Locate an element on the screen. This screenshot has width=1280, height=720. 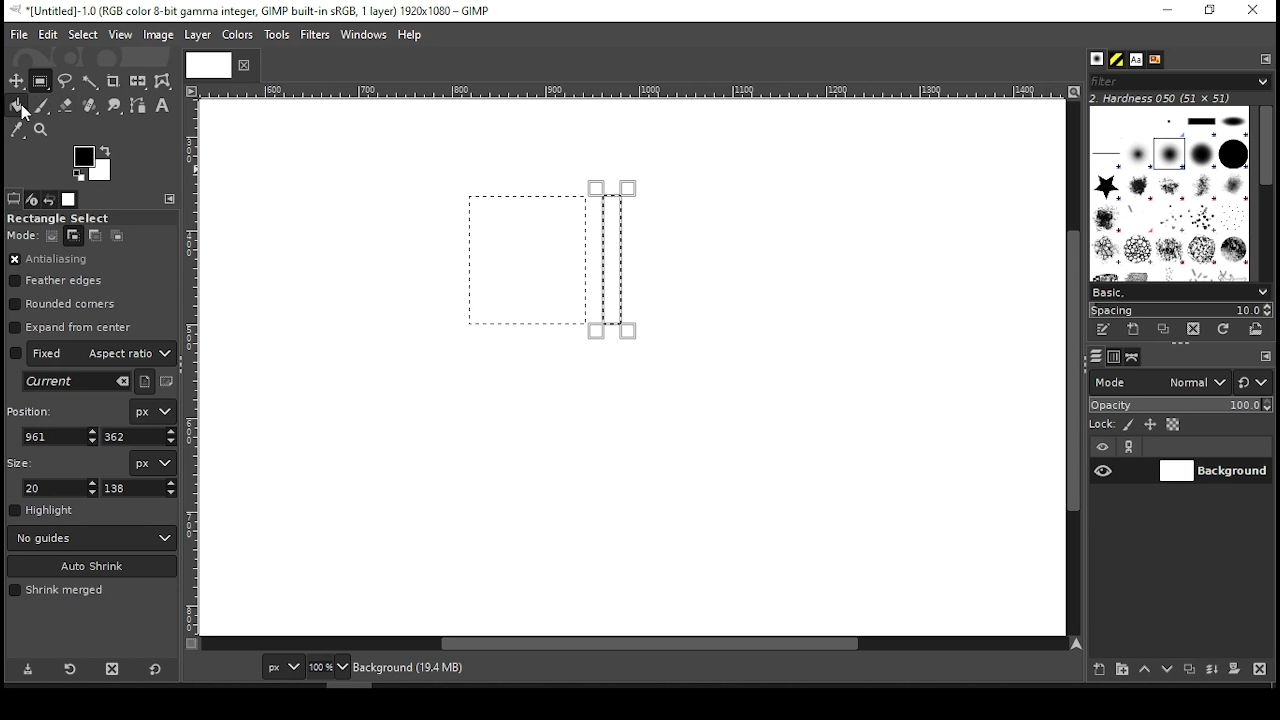
image is located at coordinates (157, 35).